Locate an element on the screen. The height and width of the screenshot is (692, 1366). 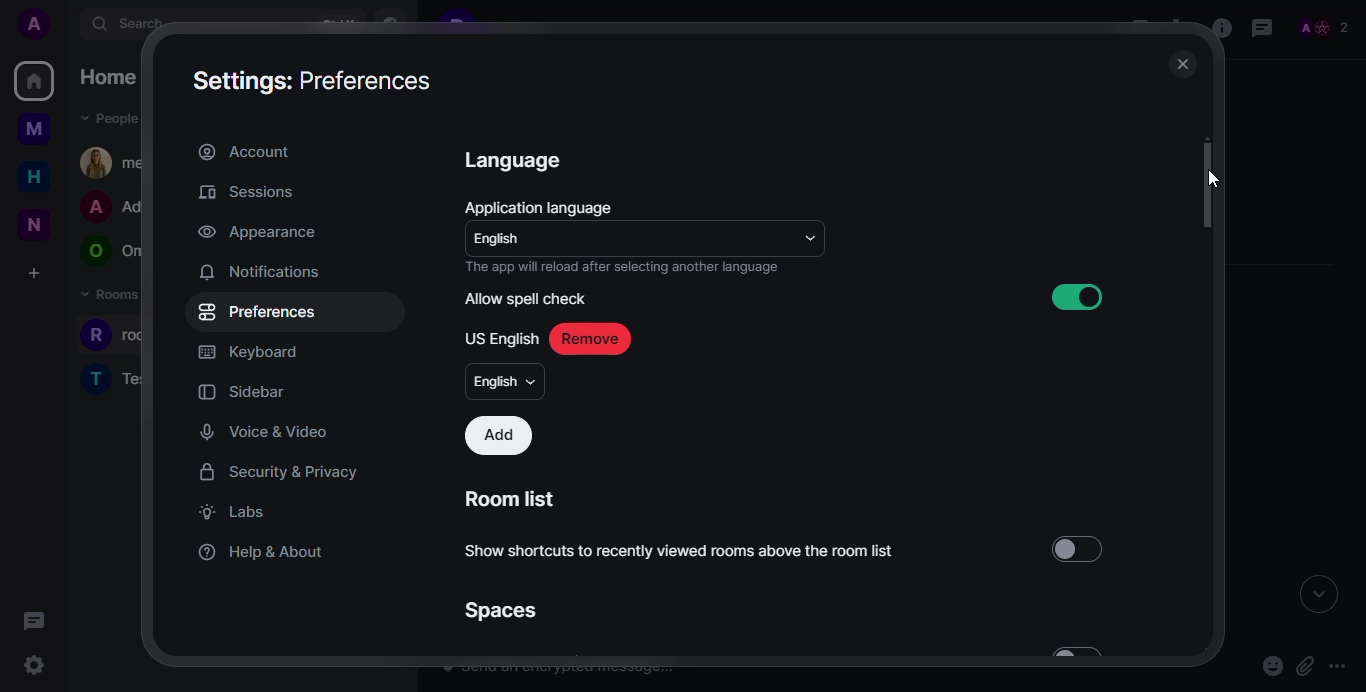
people room is located at coordinates (112, 252).